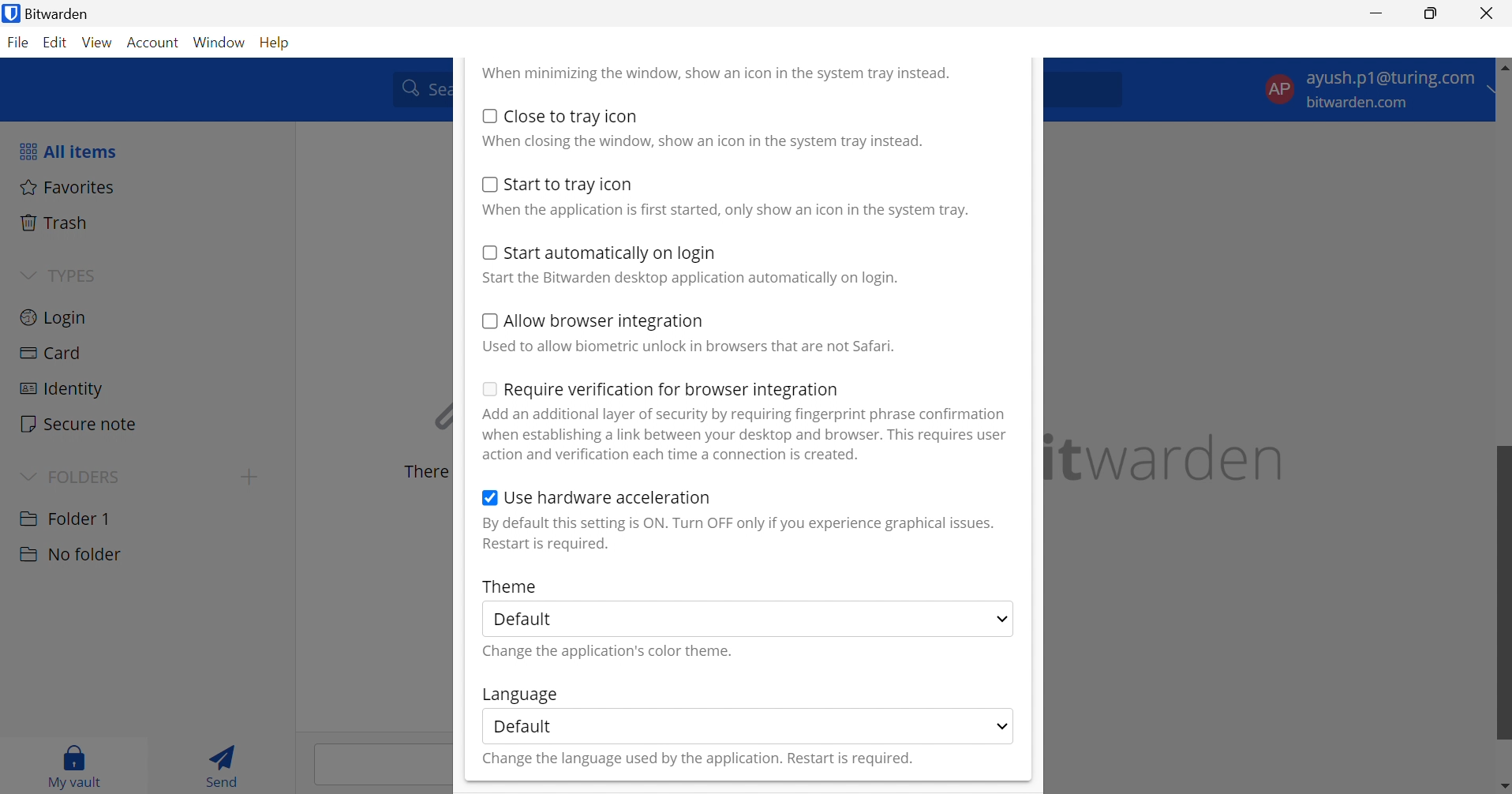 This screenshot has width=1512, height=794. What do you see at coordinates (65, 517) in the screenshot?
I see `Folder 1` at bounding box center [65, 517].